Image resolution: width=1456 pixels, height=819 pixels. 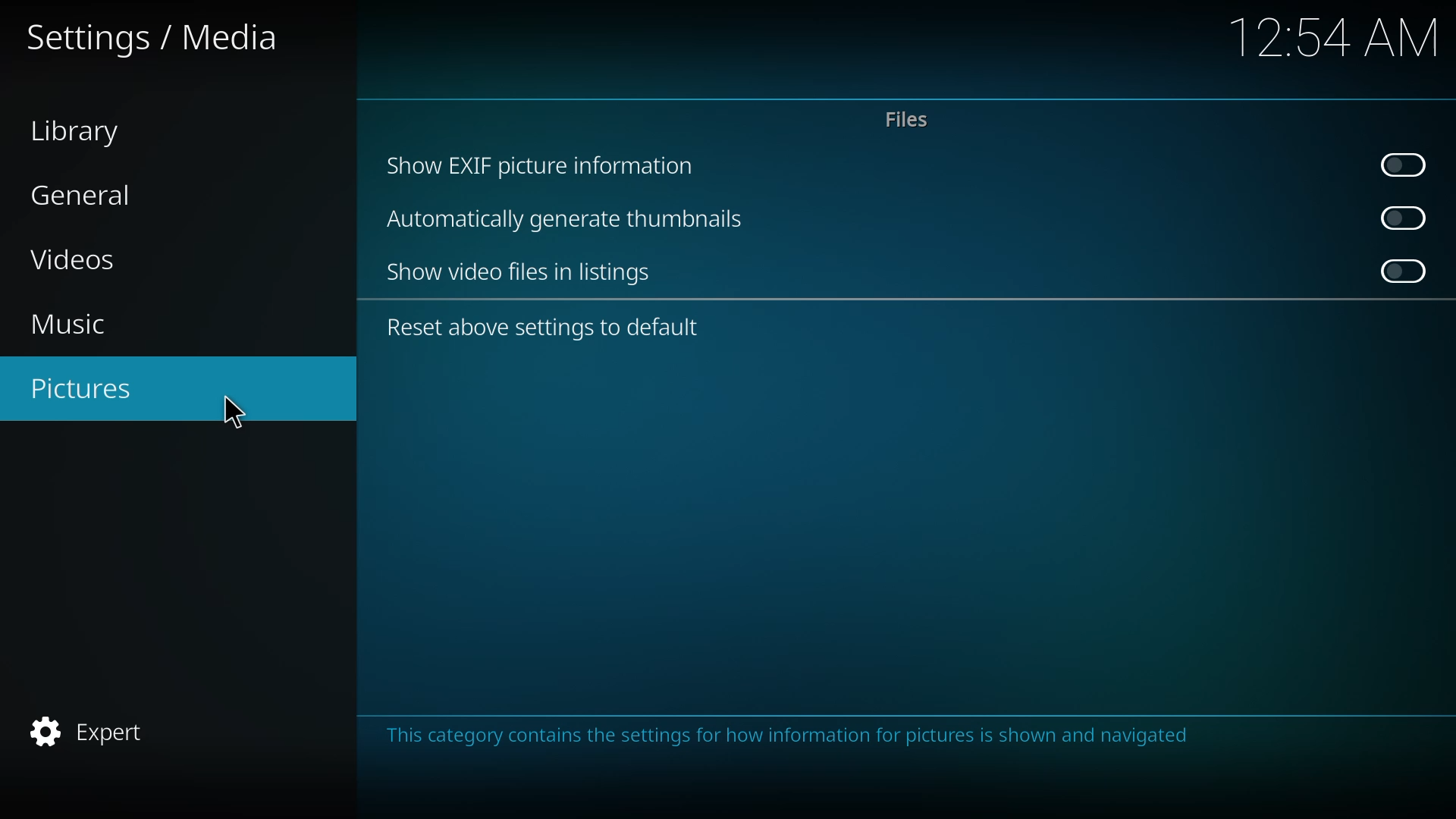 What do you see at coordinates (567, 221) in the screenshot?
I see `automatically generate thumbnails` at bounding box center [567, 221].